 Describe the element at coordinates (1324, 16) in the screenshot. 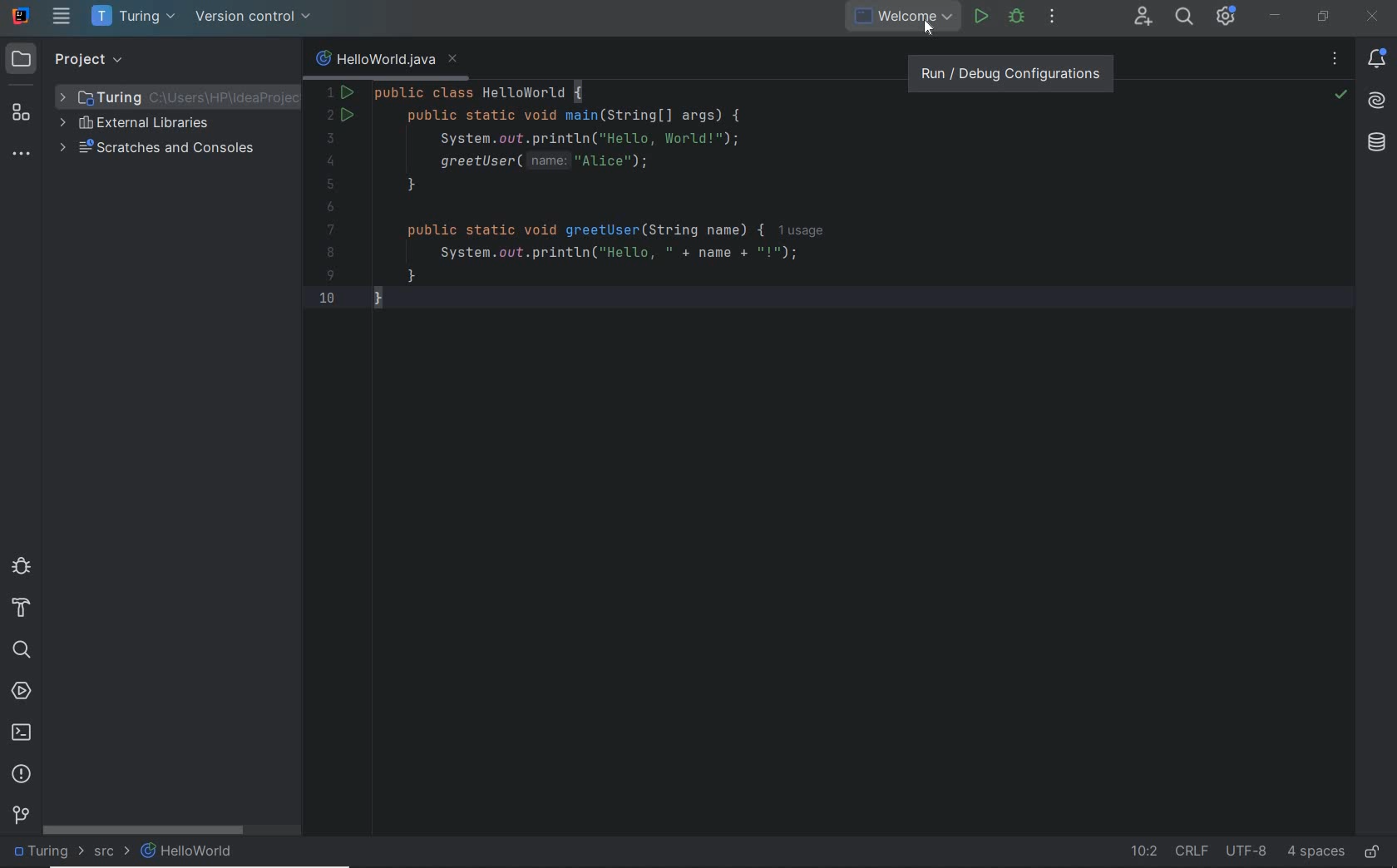

I see `RESTORE DOWN` at that location.